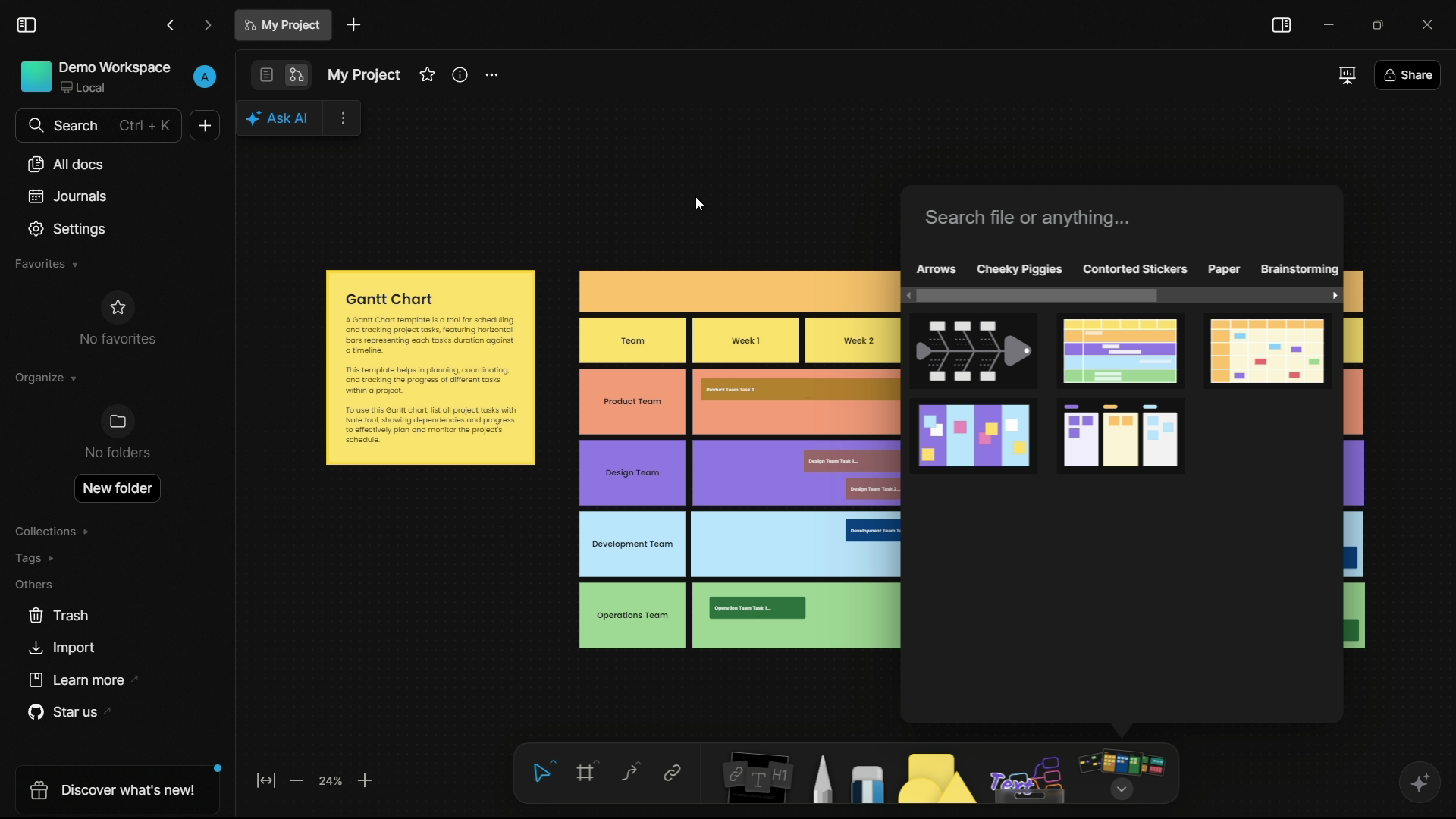 This screenshot has width=1456, height=819. I want to click on document name, so click(364, 77).